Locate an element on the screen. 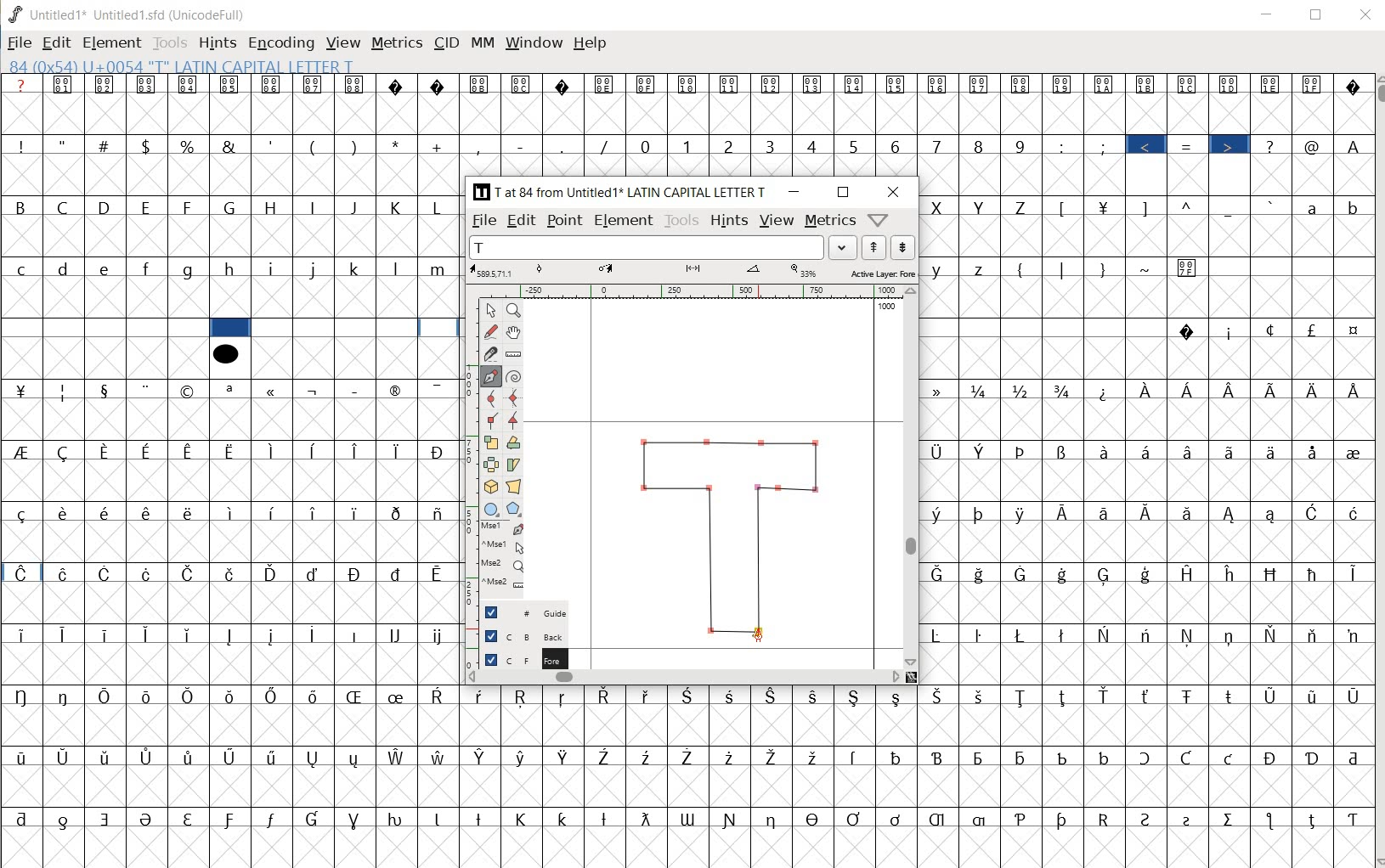 Image resolution: width=1385 pixels, height=868 pixels. pen tool cursor is located at coordinates (755, 635).